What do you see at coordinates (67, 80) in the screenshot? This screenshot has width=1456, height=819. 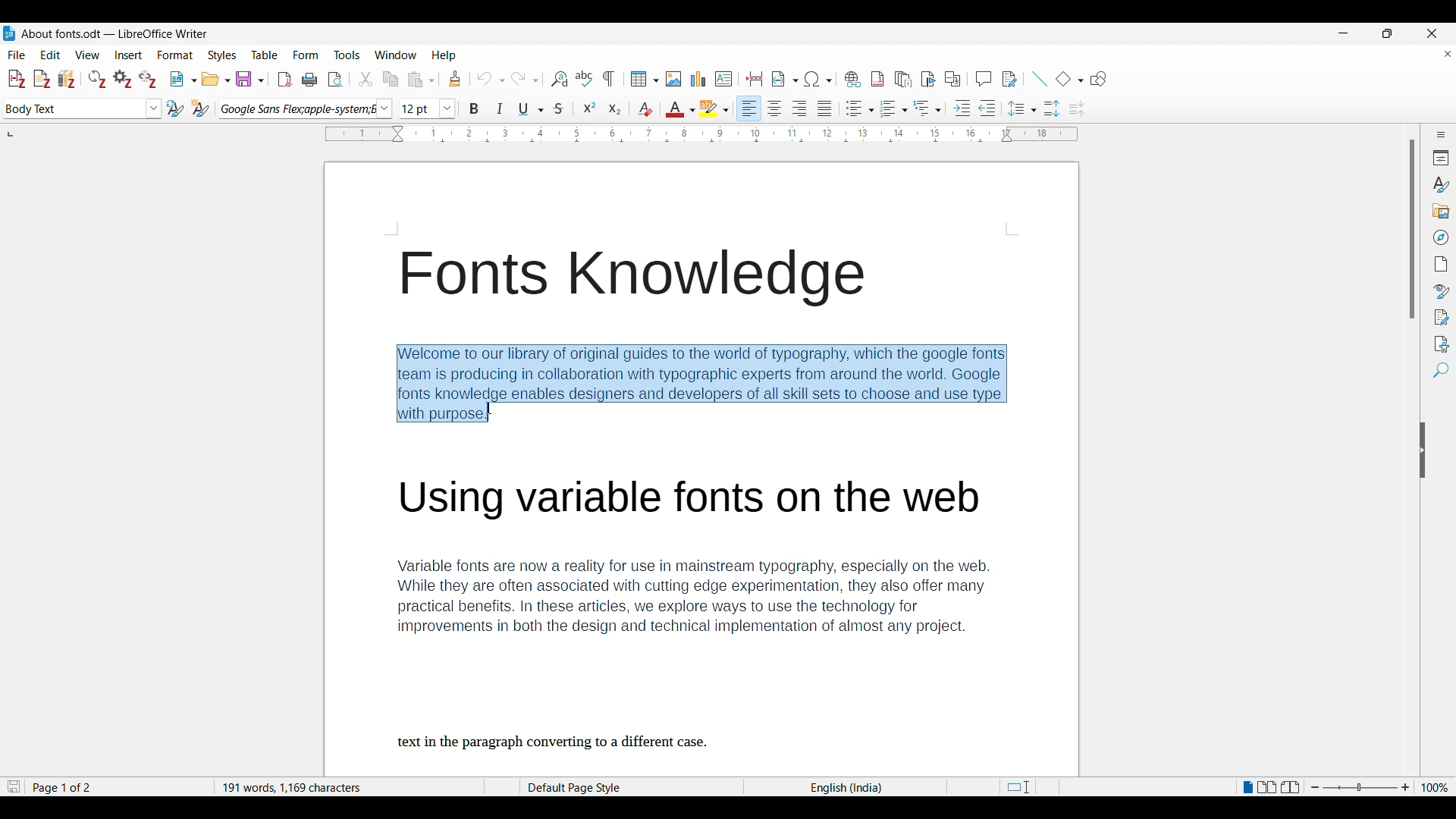 I see `Add/Edit bibliography` at bounding box center [67, 80].